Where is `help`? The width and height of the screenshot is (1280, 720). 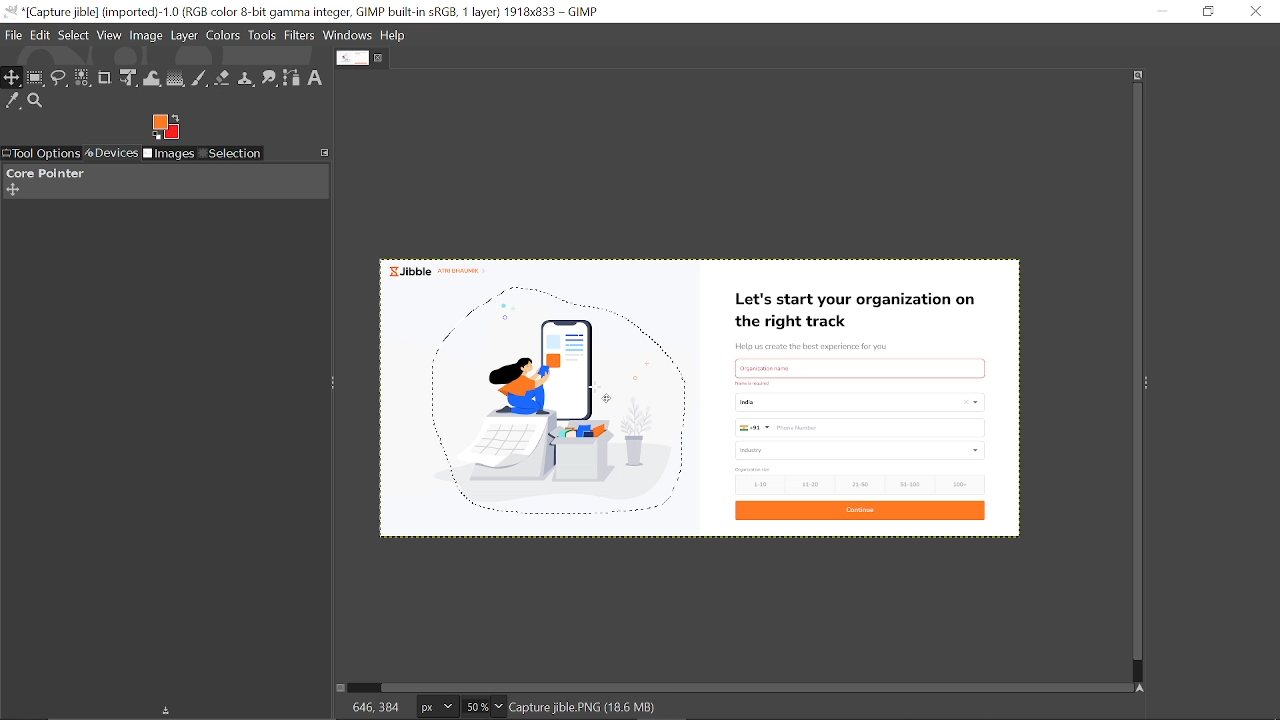
help is located at coordinates (394, 36).